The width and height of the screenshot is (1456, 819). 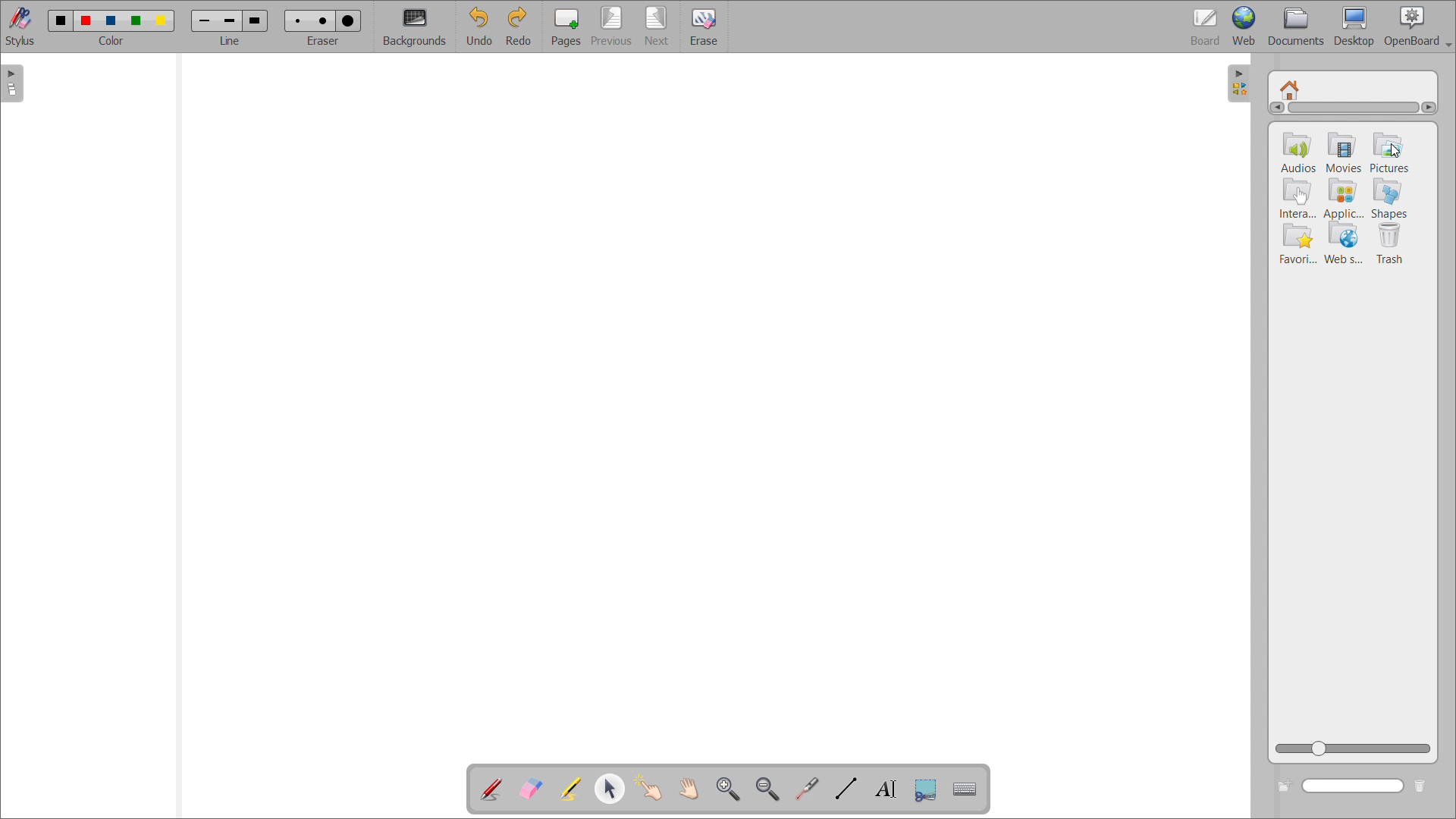 I want to click on cursor, so click(x=1395, y=152).